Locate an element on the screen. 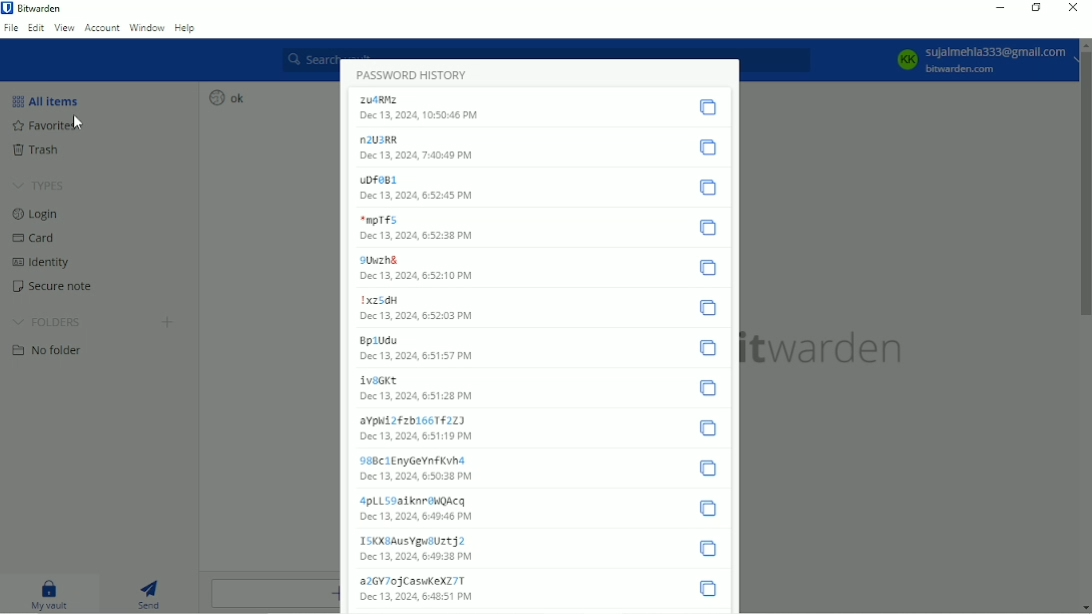 The height and width of the screenshot is (614, 1092). Close is located at coordinates (1072, 8).